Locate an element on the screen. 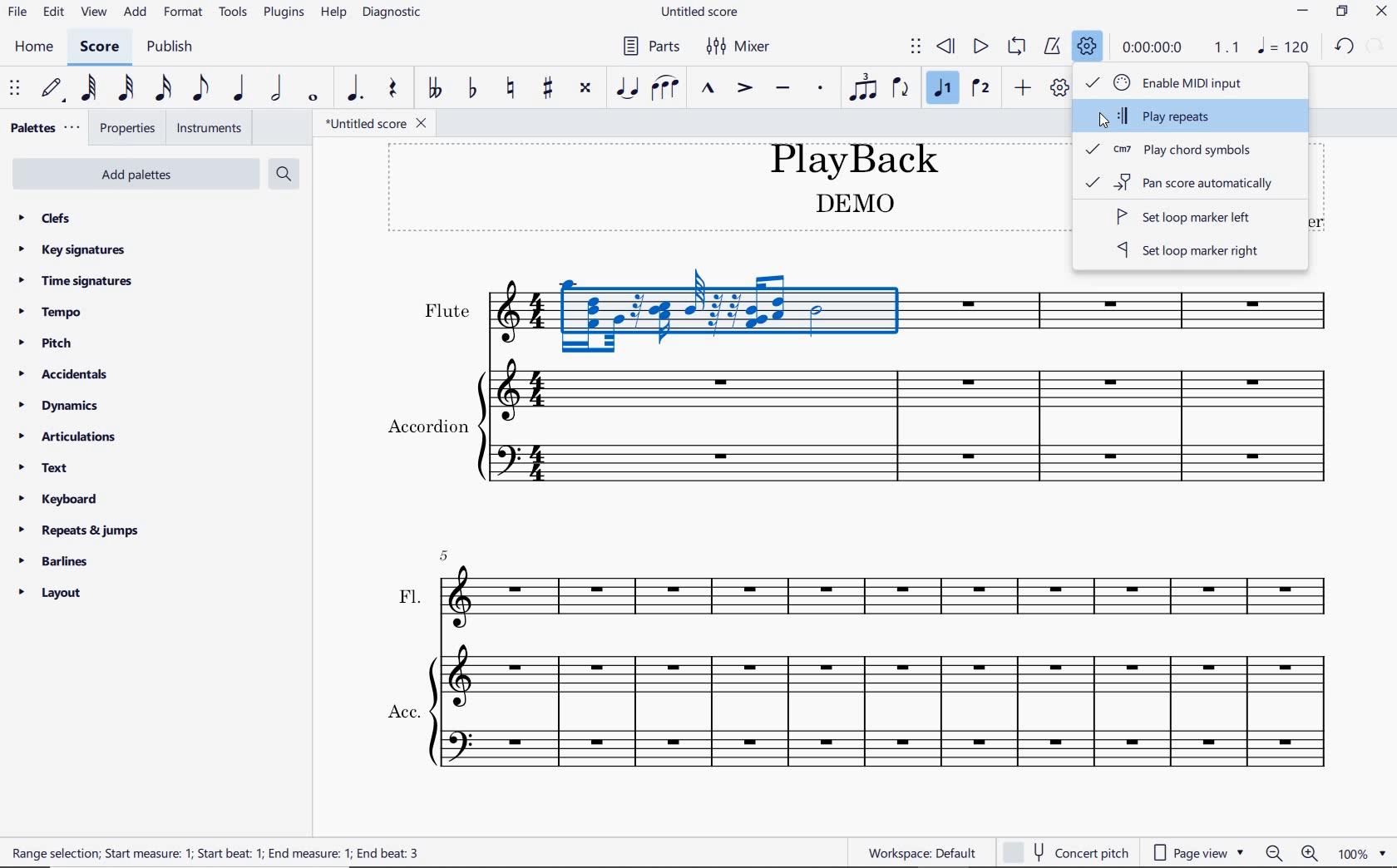 This screenshot has height=868, width=1397. whole note is located at coordinates (311, 99).